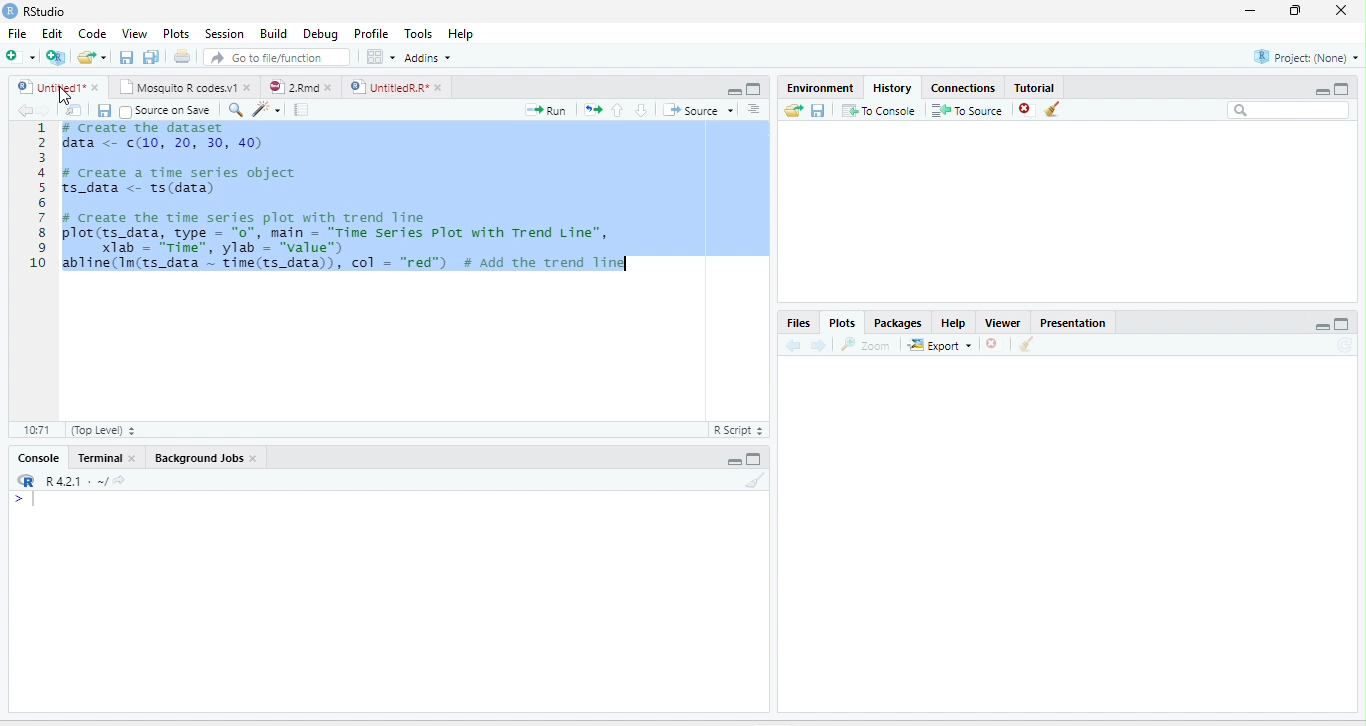  What do you see at coordinates (438, 87) in the screenshot?
I see `close` at bounding box center [438, 87].